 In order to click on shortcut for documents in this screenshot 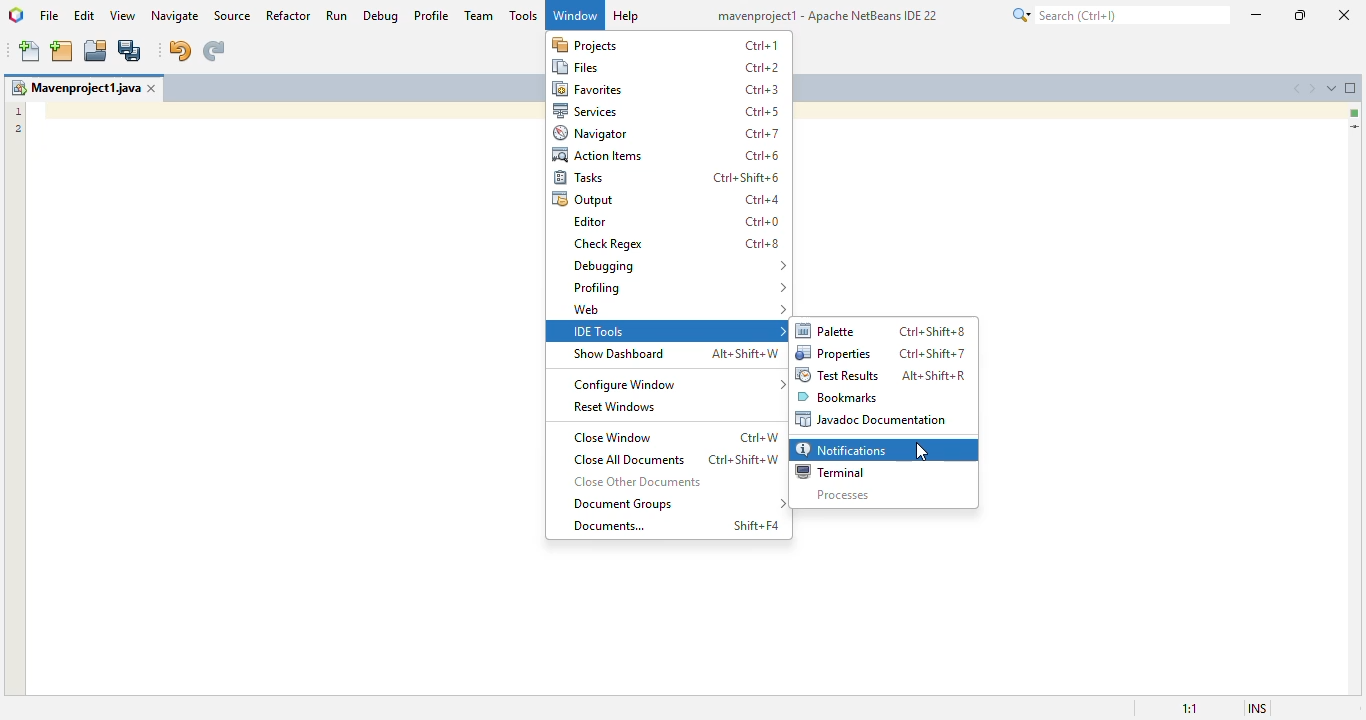, I will do `click(755, 525)`.